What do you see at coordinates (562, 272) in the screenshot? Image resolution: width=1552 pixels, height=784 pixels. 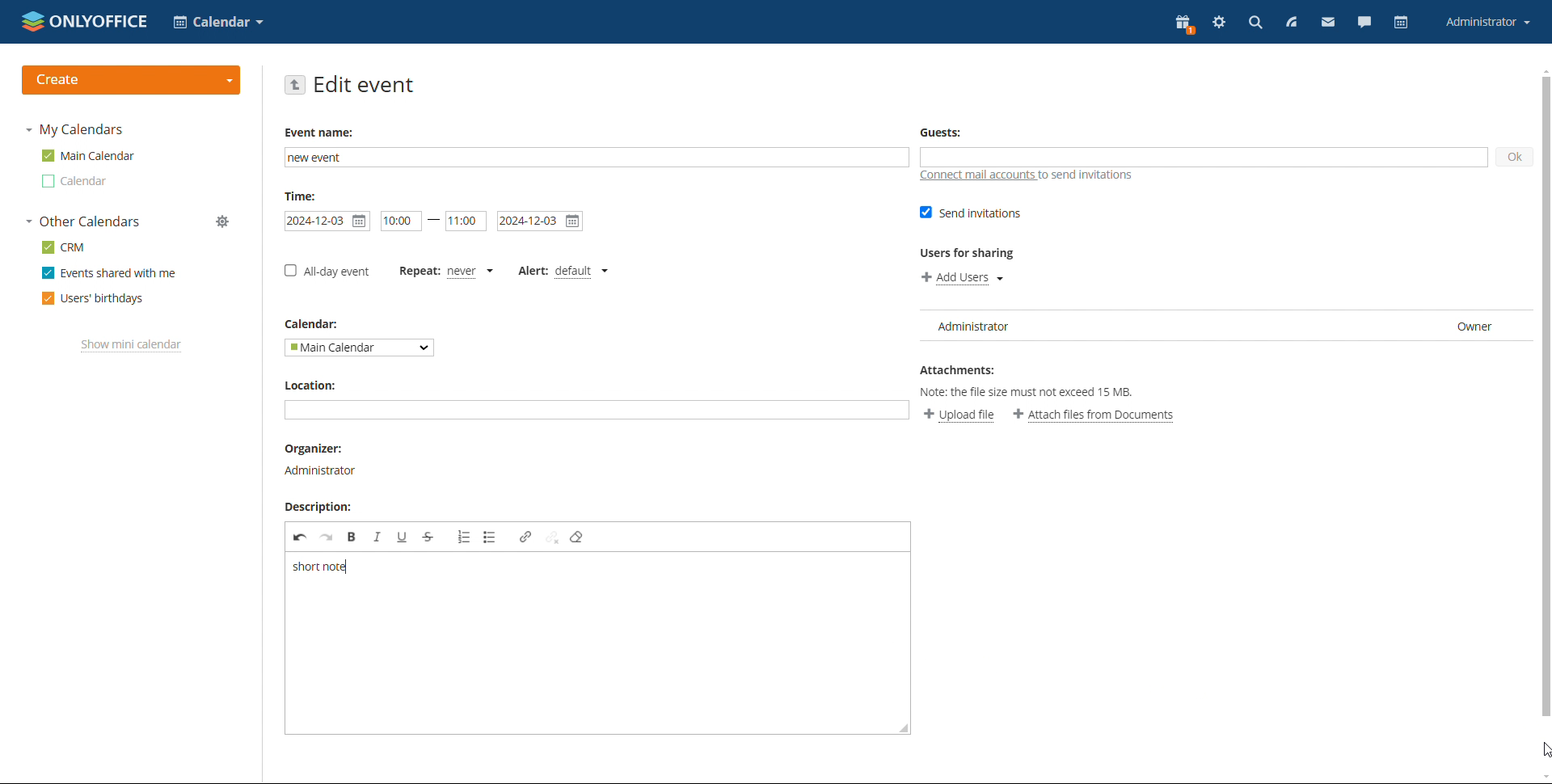 I see `set alert` at bounding box center [562, 272].